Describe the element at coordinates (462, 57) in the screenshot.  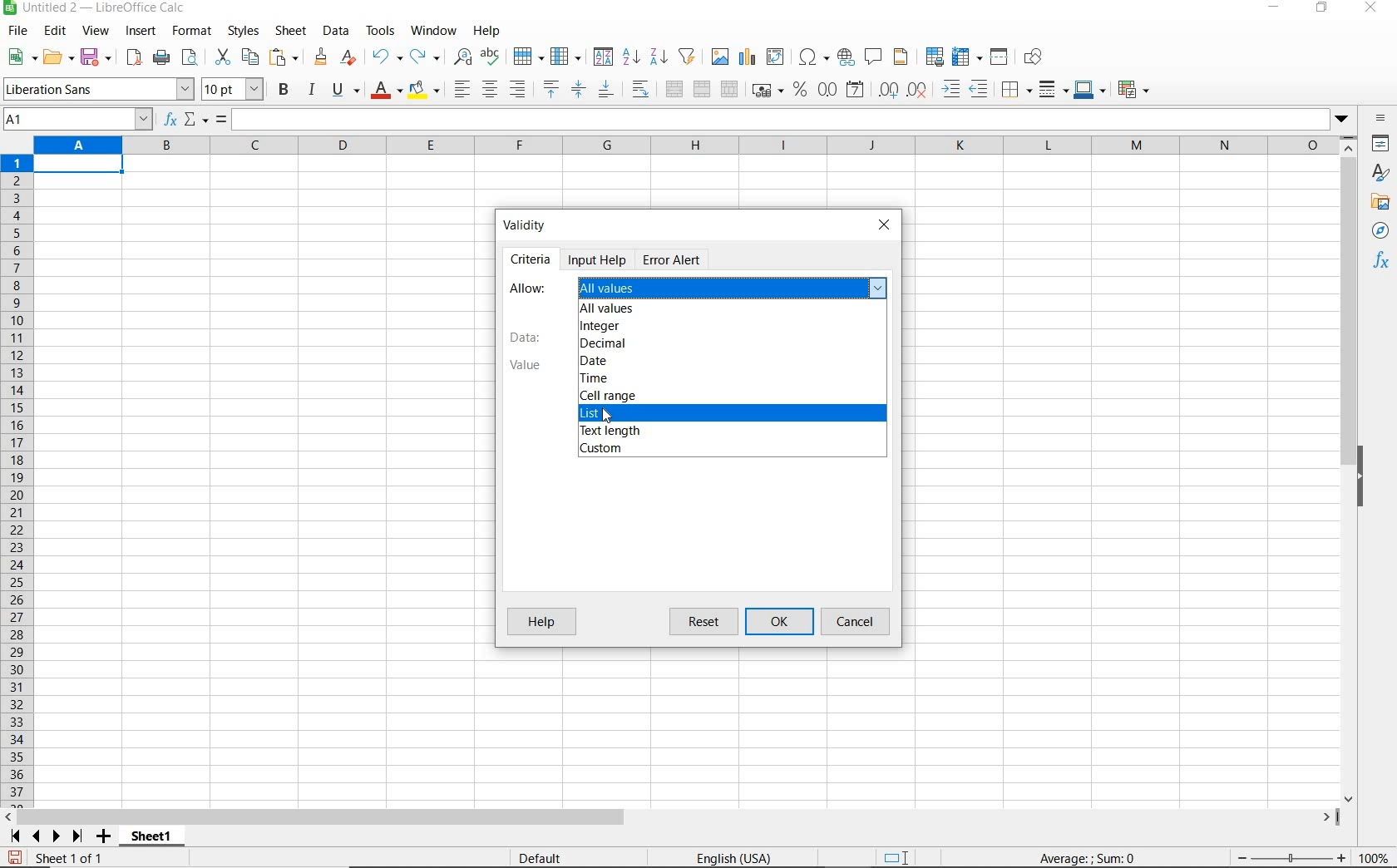
I see `find and replace` at that location.